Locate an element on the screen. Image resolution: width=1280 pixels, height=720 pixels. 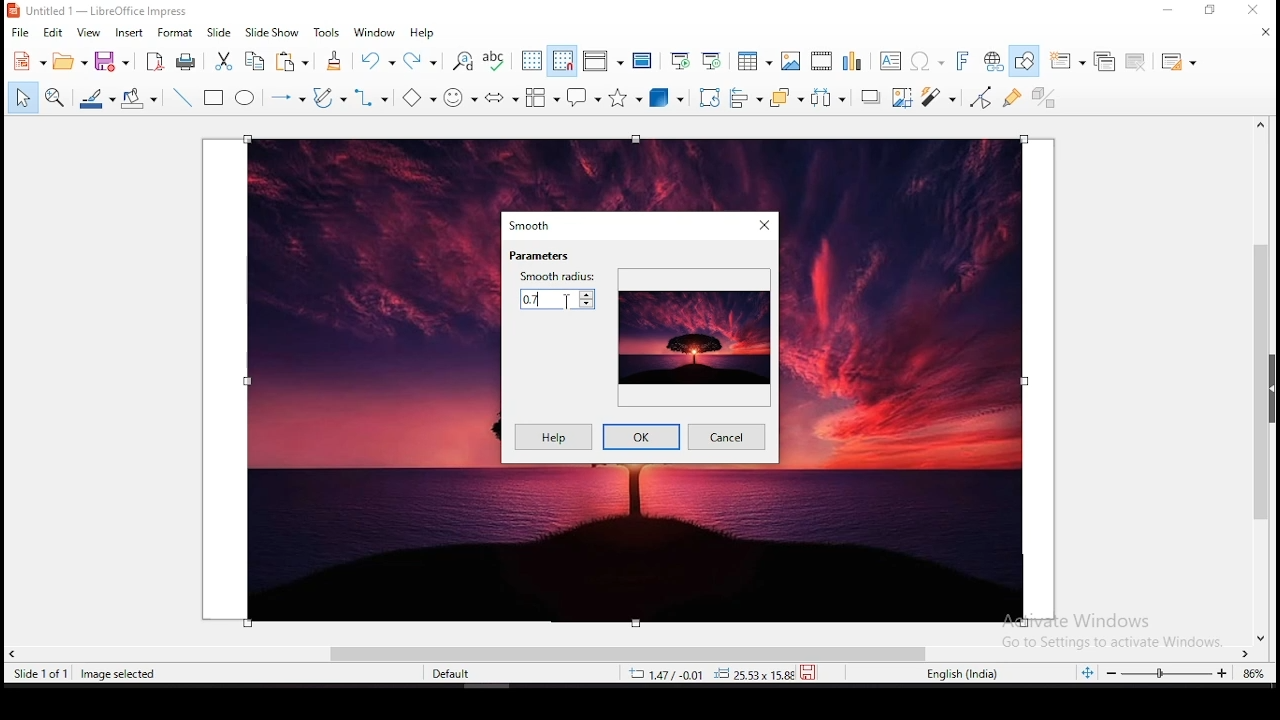
align objects is located at coordinates (748, 100).